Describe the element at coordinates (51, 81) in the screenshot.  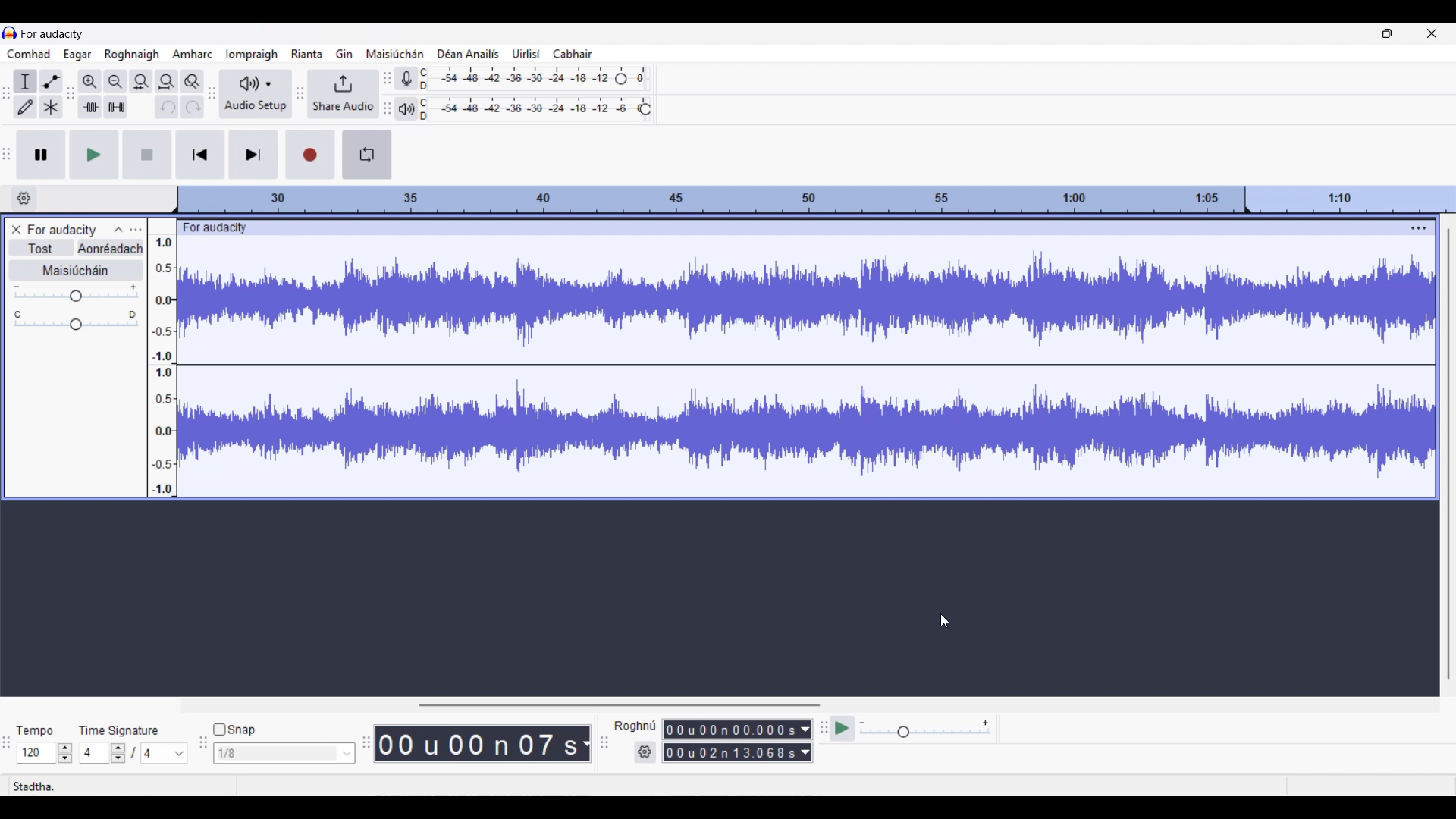
I see `Envelop tool` at that location.